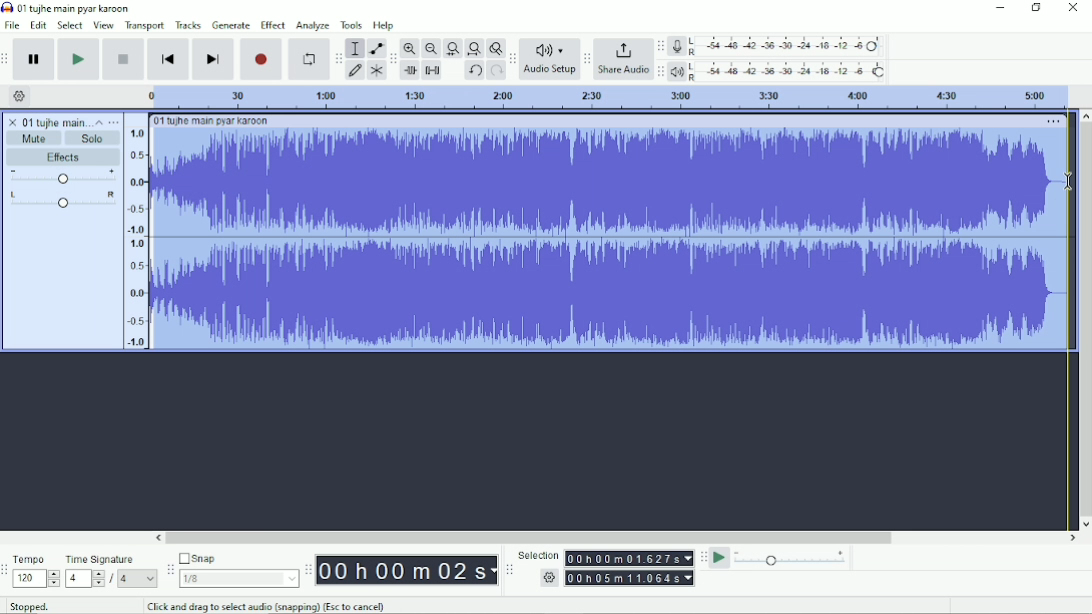 The height and width of the screenshot is (614, 1092). Describe the element at coordinates (231, 25) in the screenshot. I see `Generate` at that location.